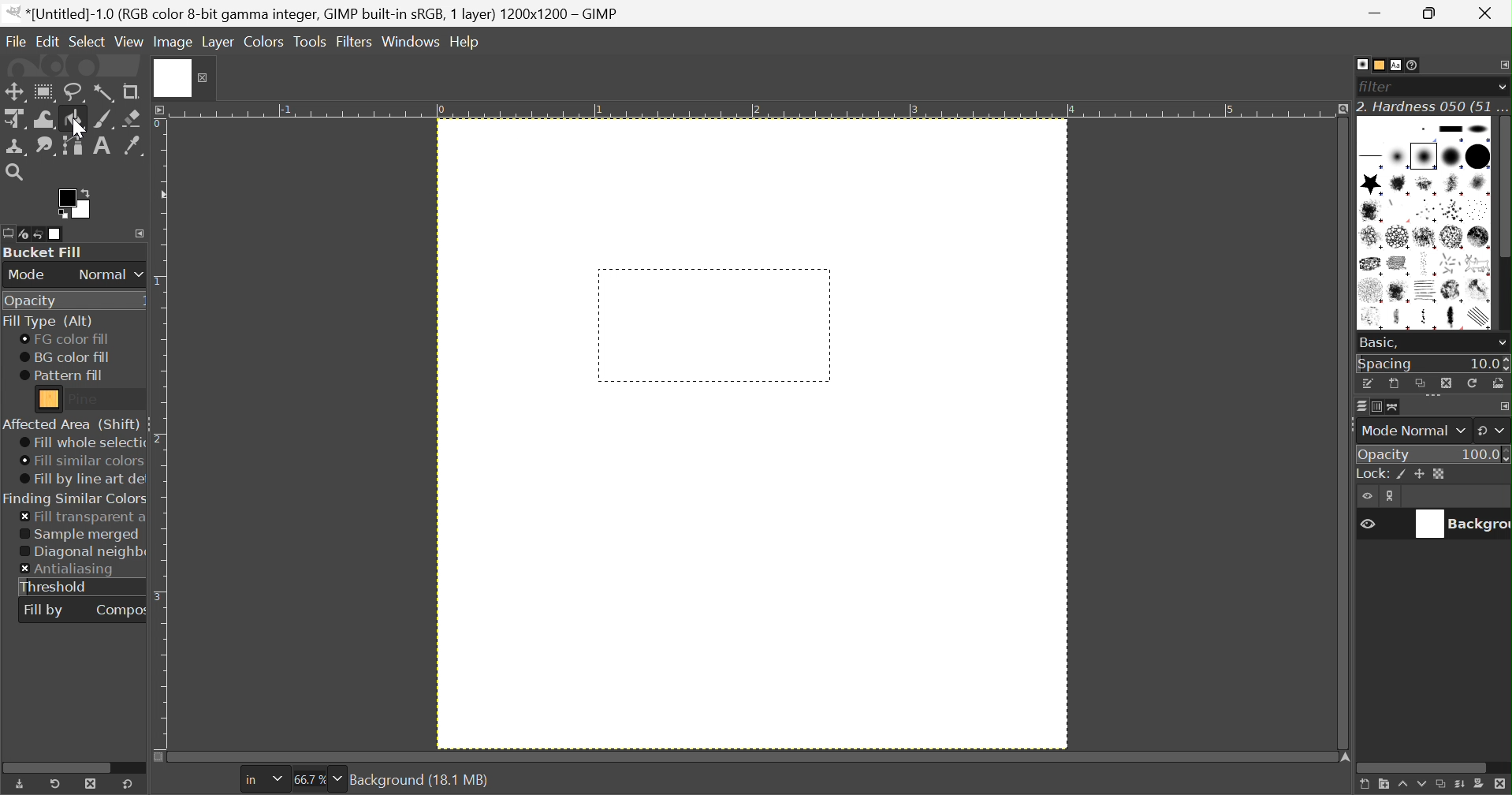 This screenshot has height=795, width=1512. What do you see at coordinates (1420, 475) in the screenshot?
I see `Lock positions and size` at bounding box center [1420, 475].